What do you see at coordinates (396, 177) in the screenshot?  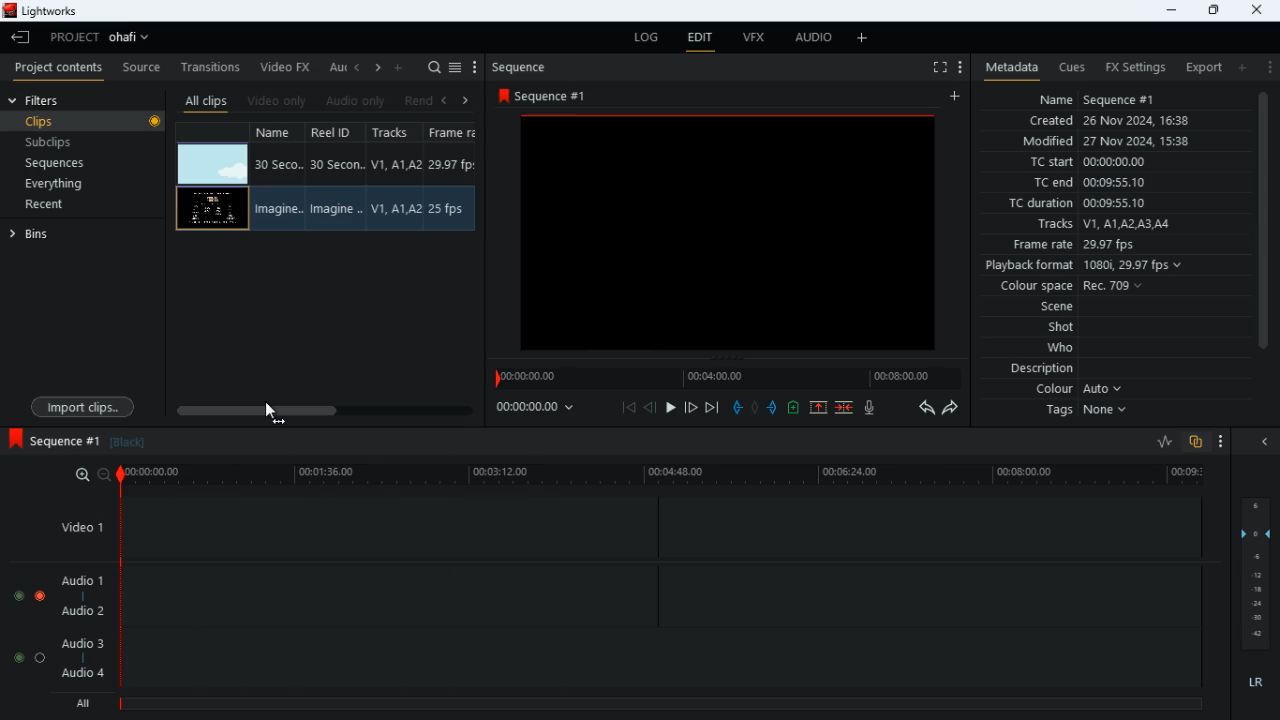 I see `tracks` at bounding box center [396, 177].